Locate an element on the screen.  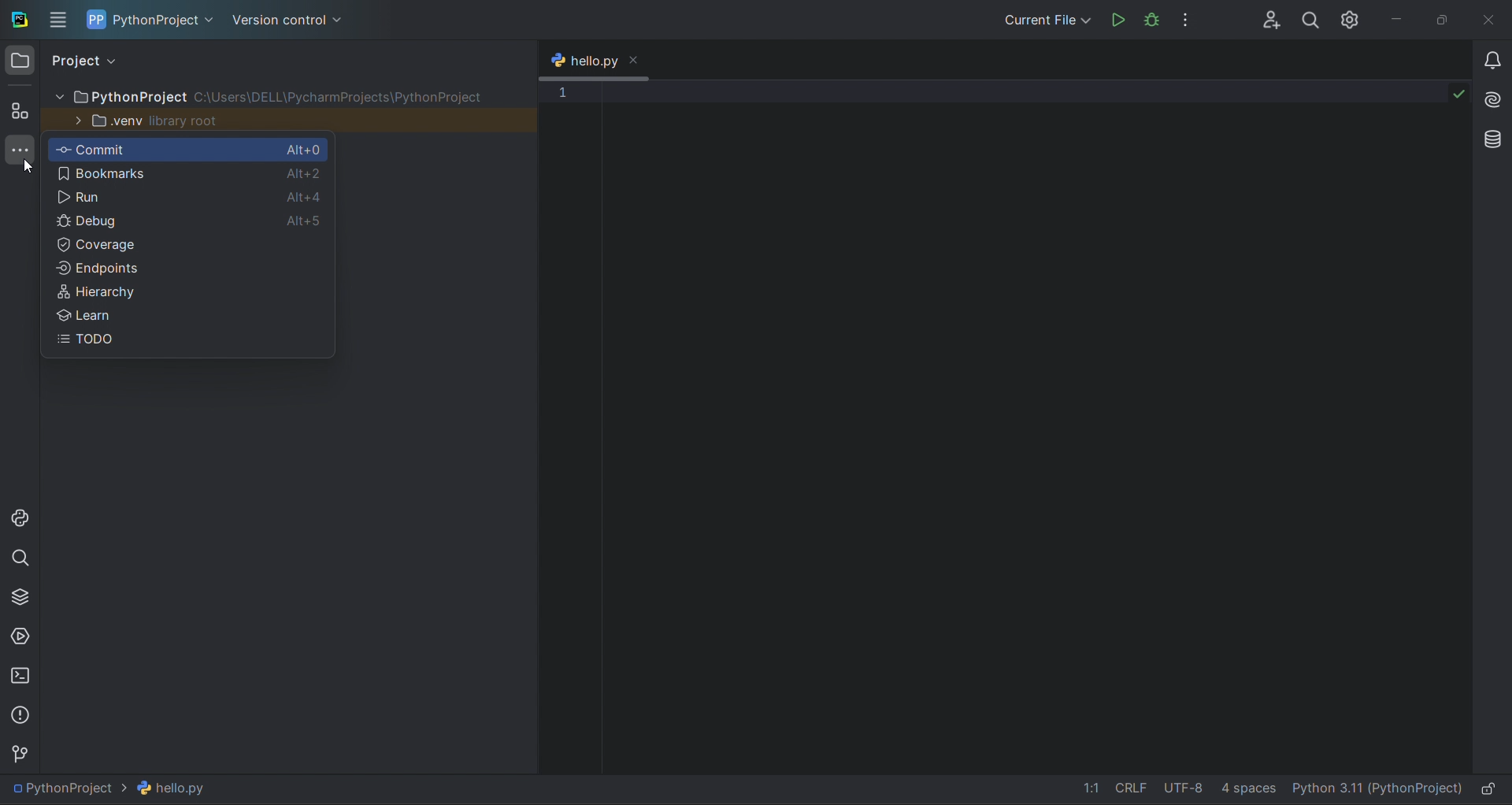
Alt+0 is located at coordinates (306, 149).